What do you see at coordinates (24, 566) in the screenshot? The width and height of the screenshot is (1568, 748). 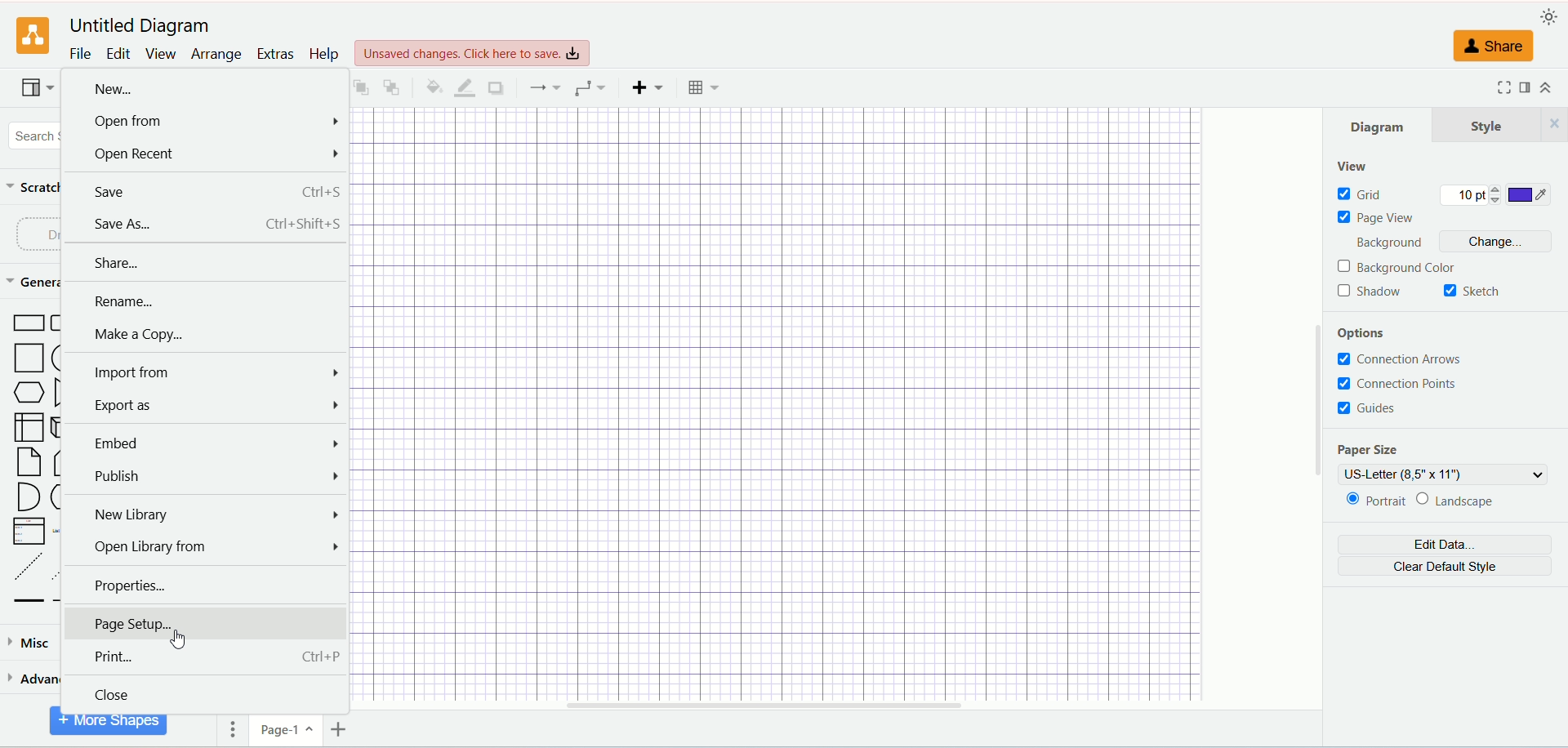 I see `Dashed Line` at bounding box center [24, 566].